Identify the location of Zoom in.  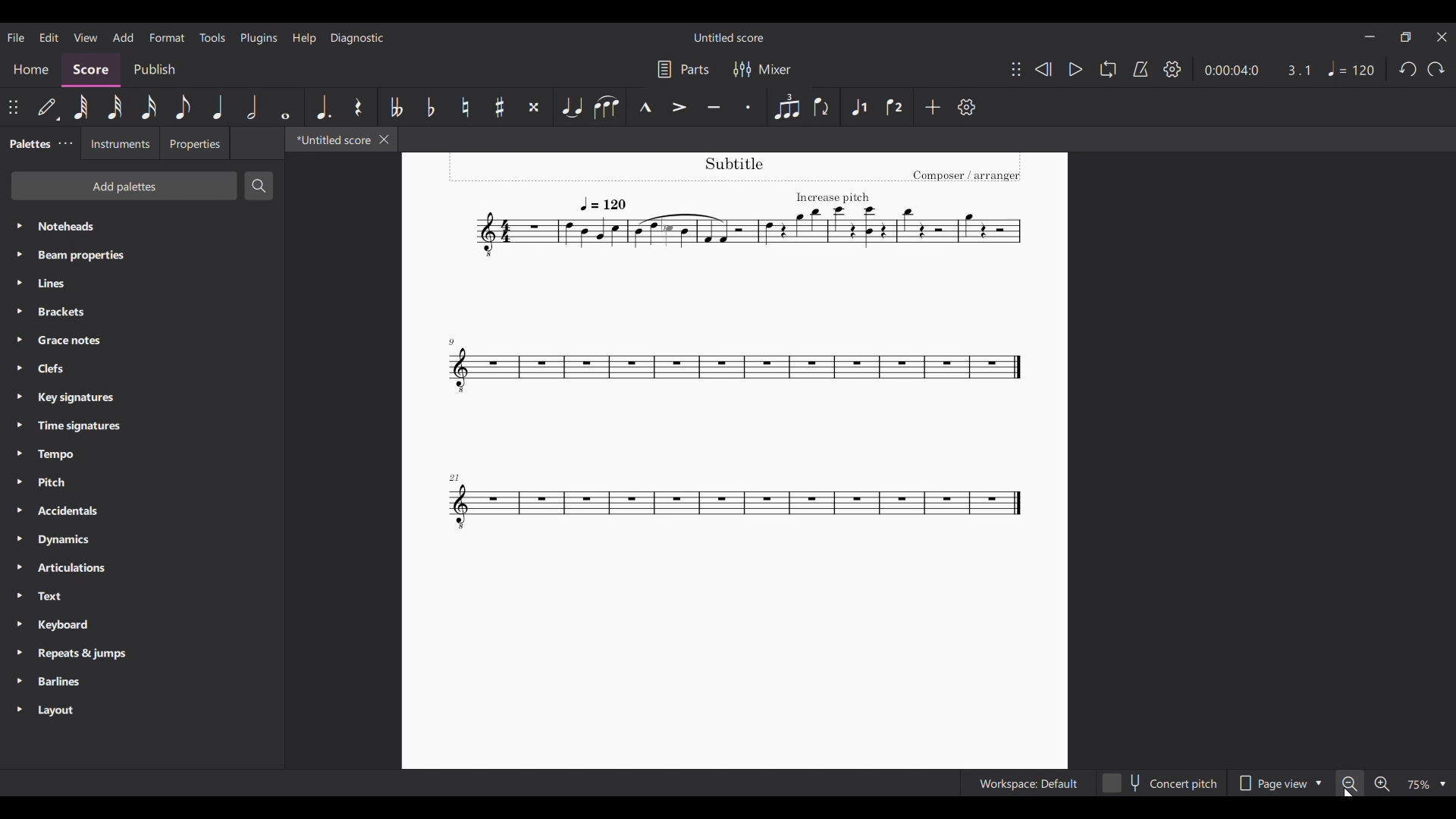
(1382, 783).